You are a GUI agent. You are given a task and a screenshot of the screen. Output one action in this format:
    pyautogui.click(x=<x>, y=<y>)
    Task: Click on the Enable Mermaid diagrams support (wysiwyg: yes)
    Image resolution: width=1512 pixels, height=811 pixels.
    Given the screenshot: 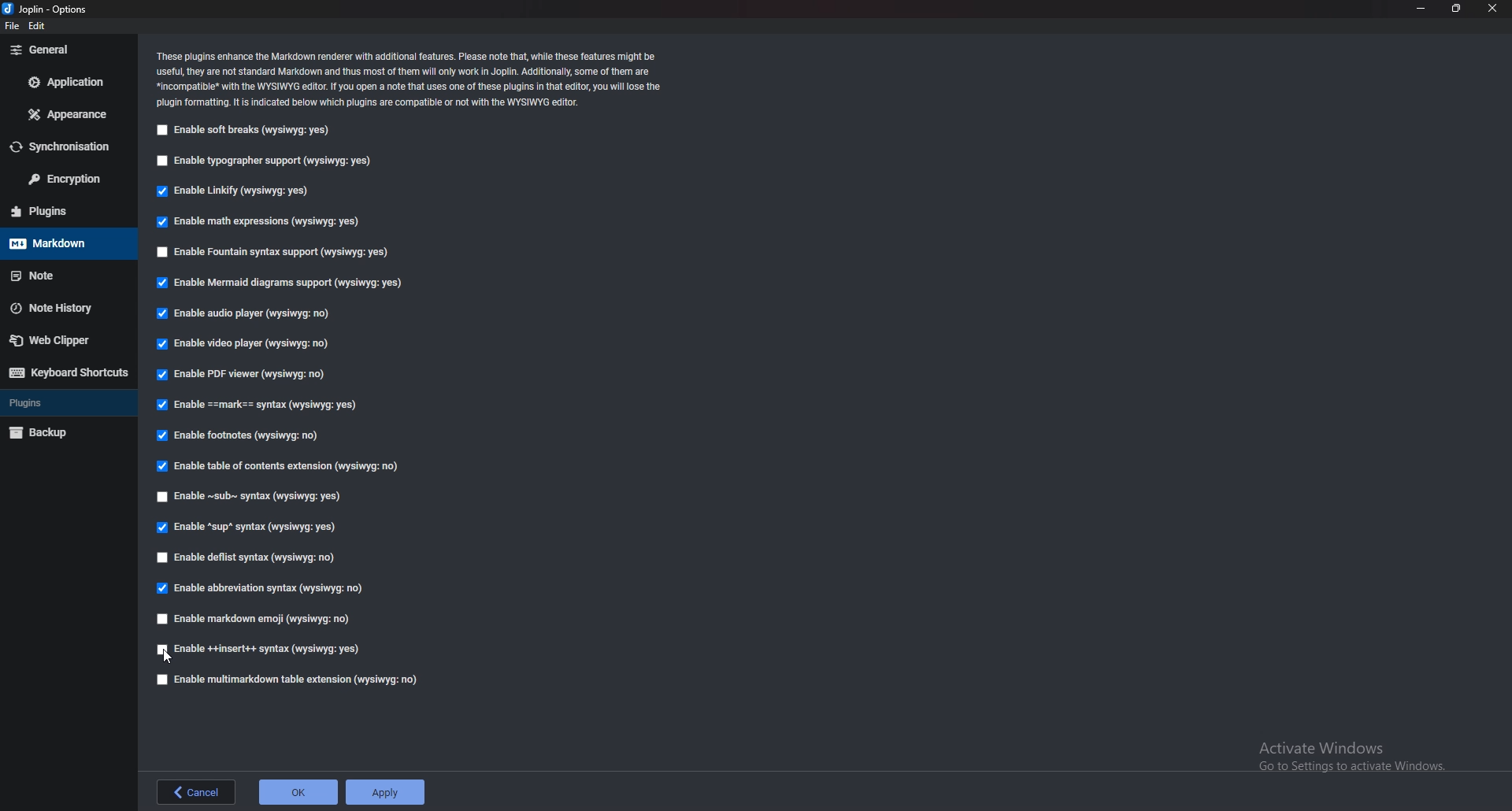 What is the action you would take?
    pyautogui.click(x=279, y=281)
    